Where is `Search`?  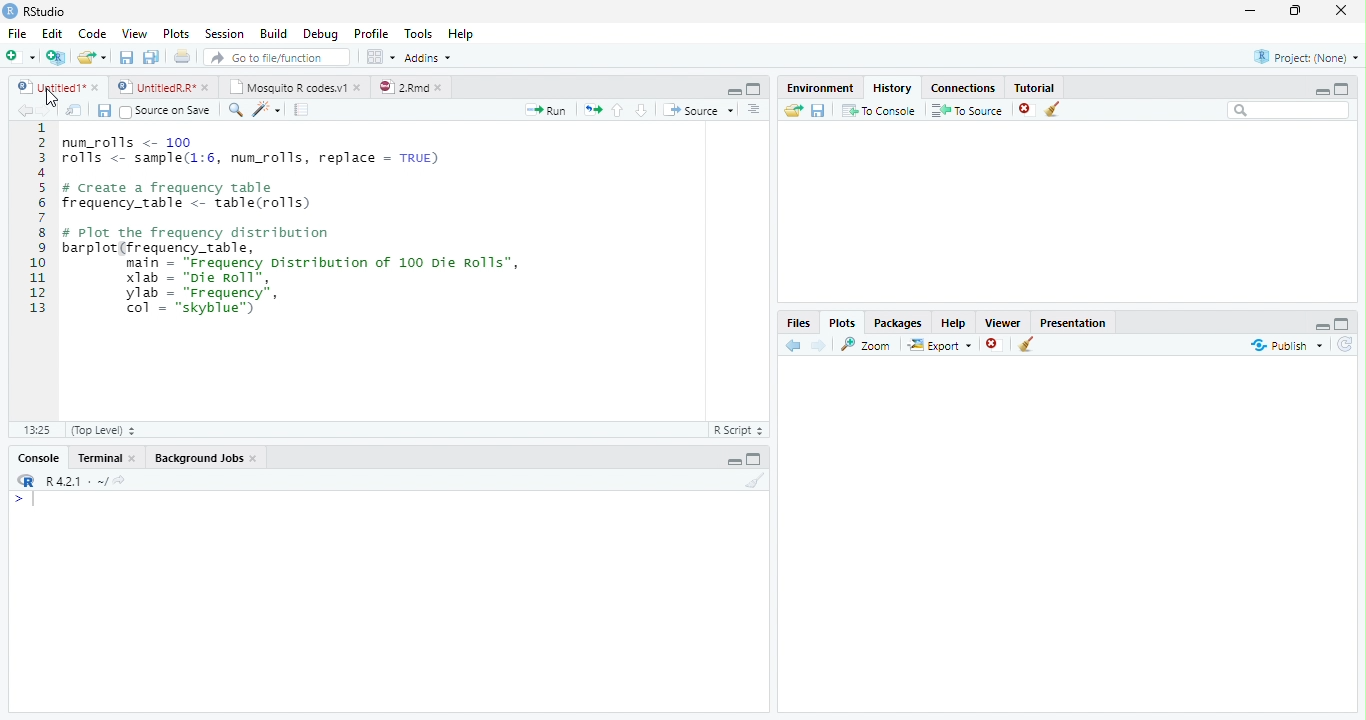
Search is located at coordinates (1287, 110).